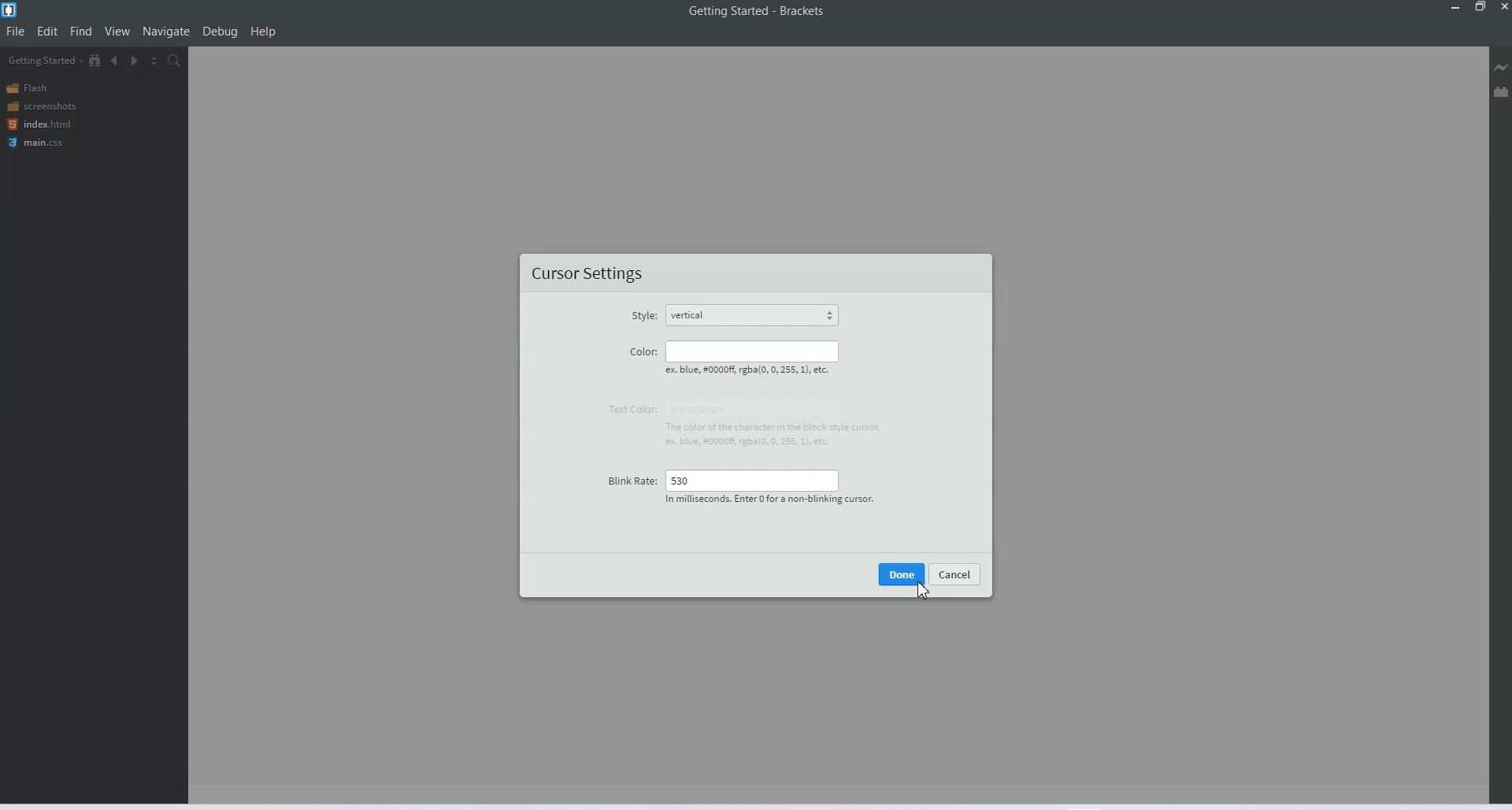 This screenshot has height=810, width=1512. Describe the element at coordinates (45, 60) in the screenshot. I see `Getting Started` at that location.